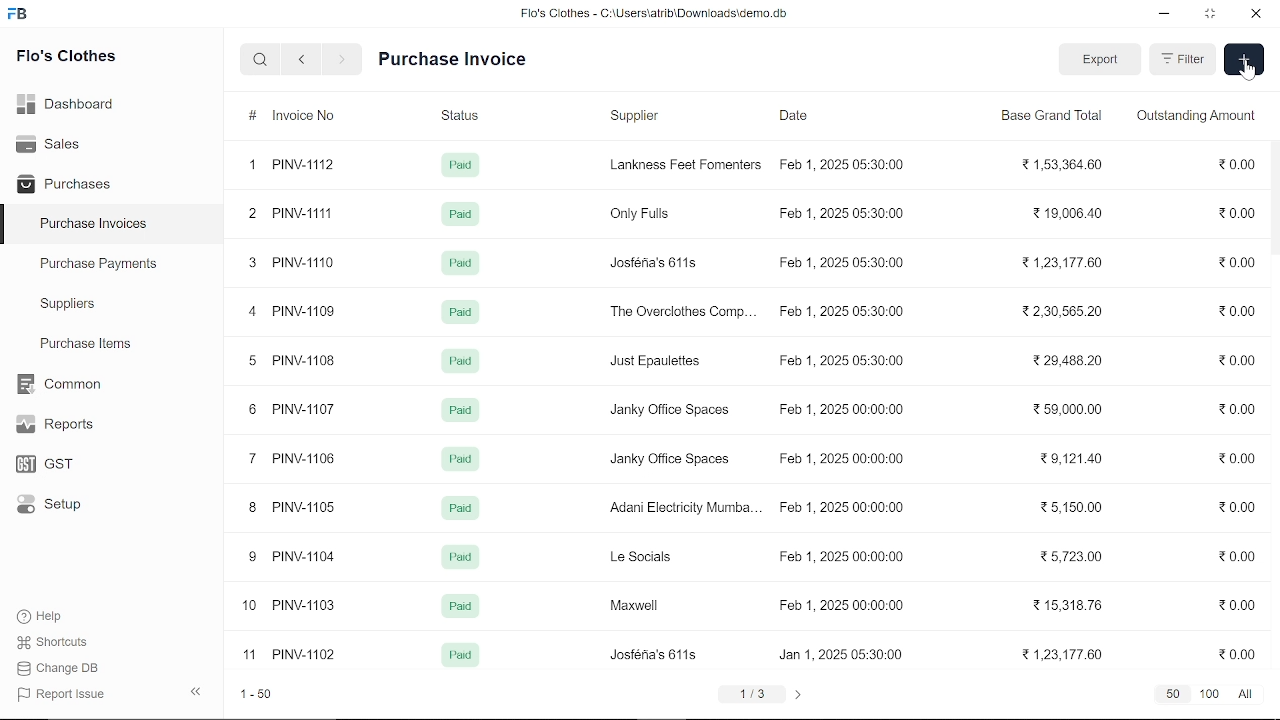 The width and height of the screenshot is (1280, 720). What do you see at coordinates (83, 345) in the screenshot?
I see `Purchase ltems` at bounding box center [83, 345].